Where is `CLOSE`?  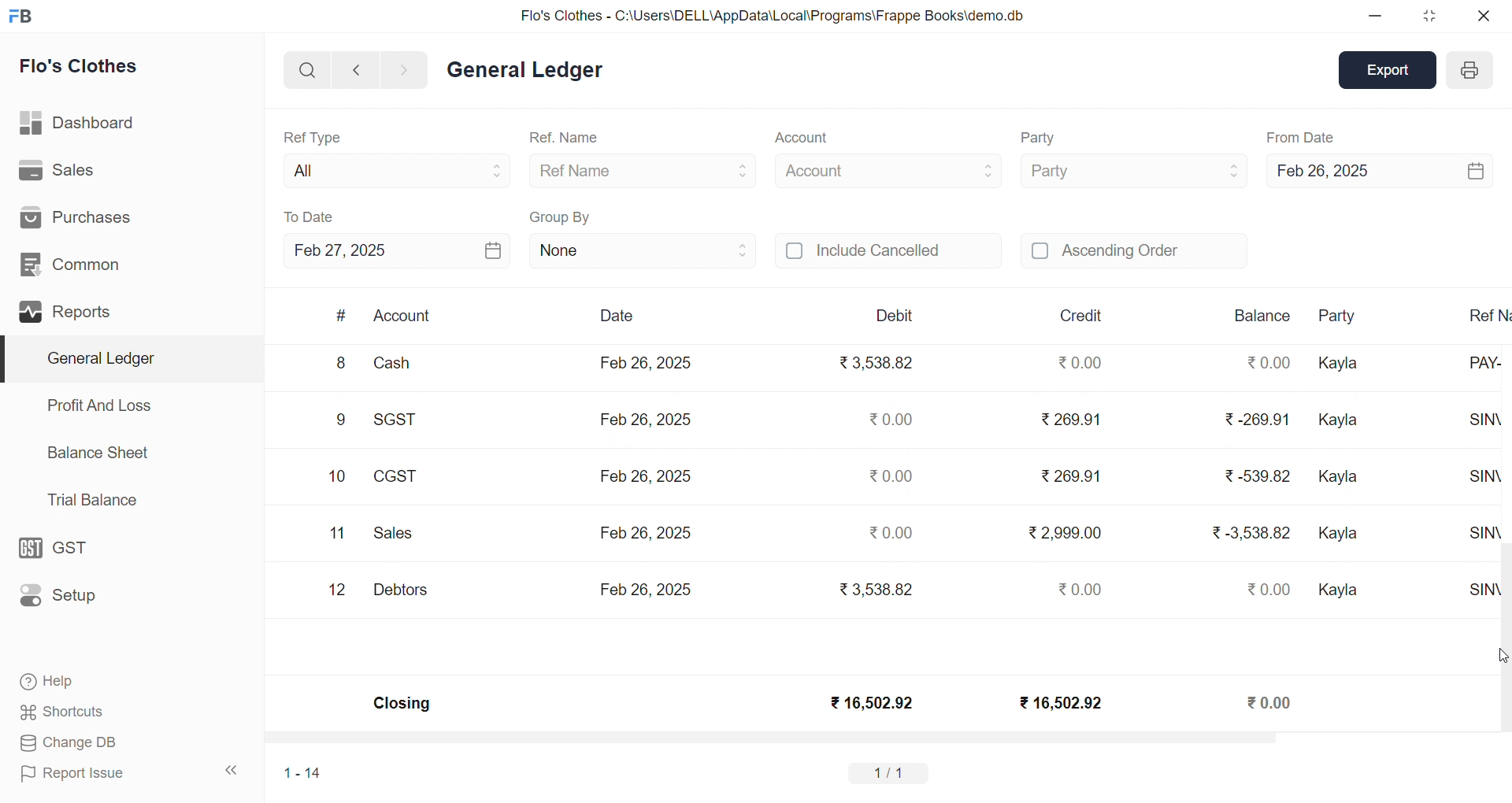 CLOSE is located at coordinates (1482, 16).